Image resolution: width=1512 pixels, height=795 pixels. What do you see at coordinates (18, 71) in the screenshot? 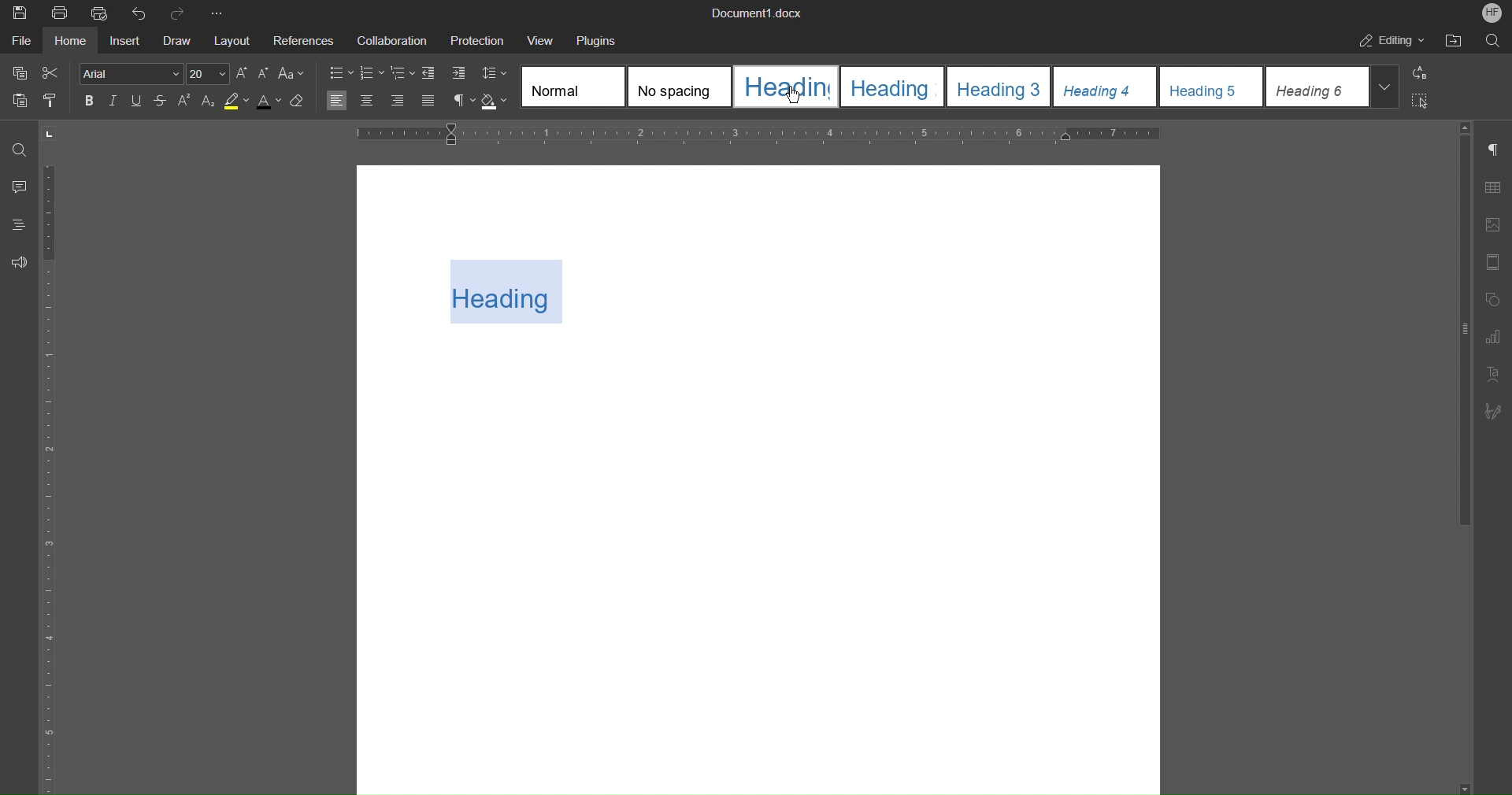
I see `Copy` at bounding box center [18, 71].